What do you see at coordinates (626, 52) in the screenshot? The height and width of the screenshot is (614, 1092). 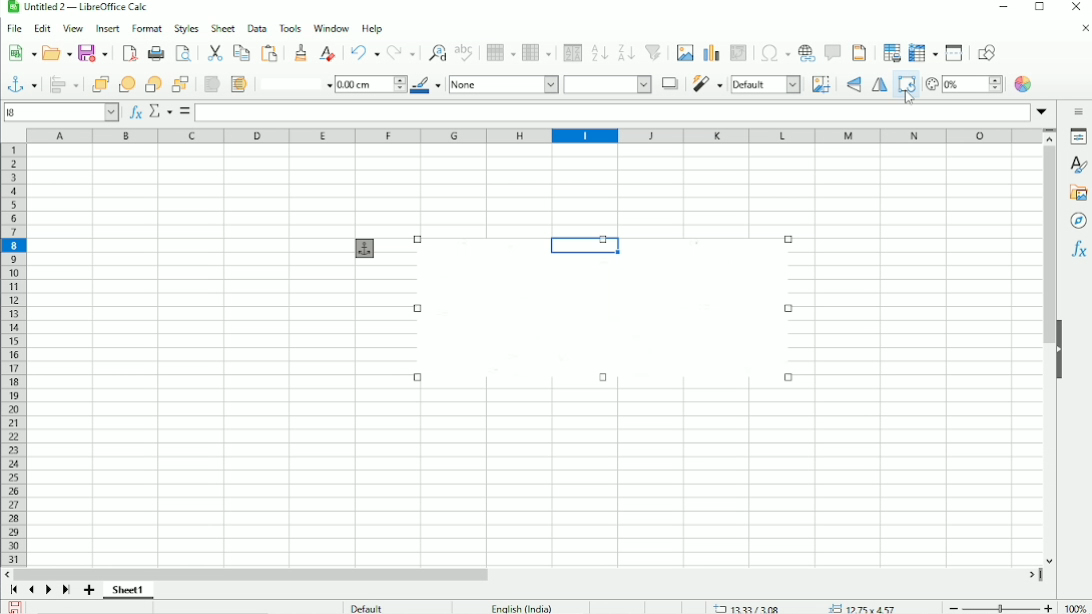 I see `Sort descending` at bounding box center [626, 52].